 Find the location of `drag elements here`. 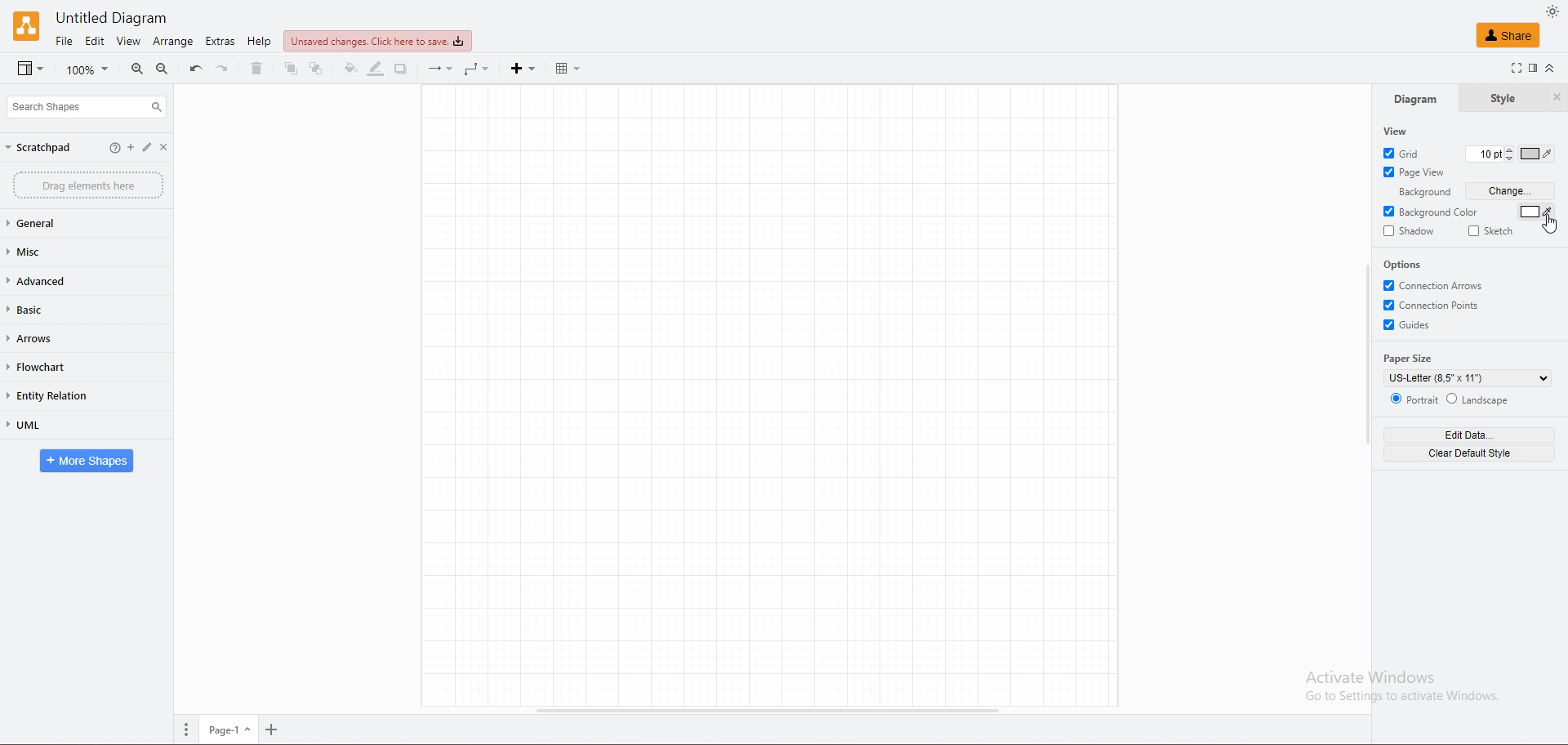

drag elements here is located at coordinates (90, 185).